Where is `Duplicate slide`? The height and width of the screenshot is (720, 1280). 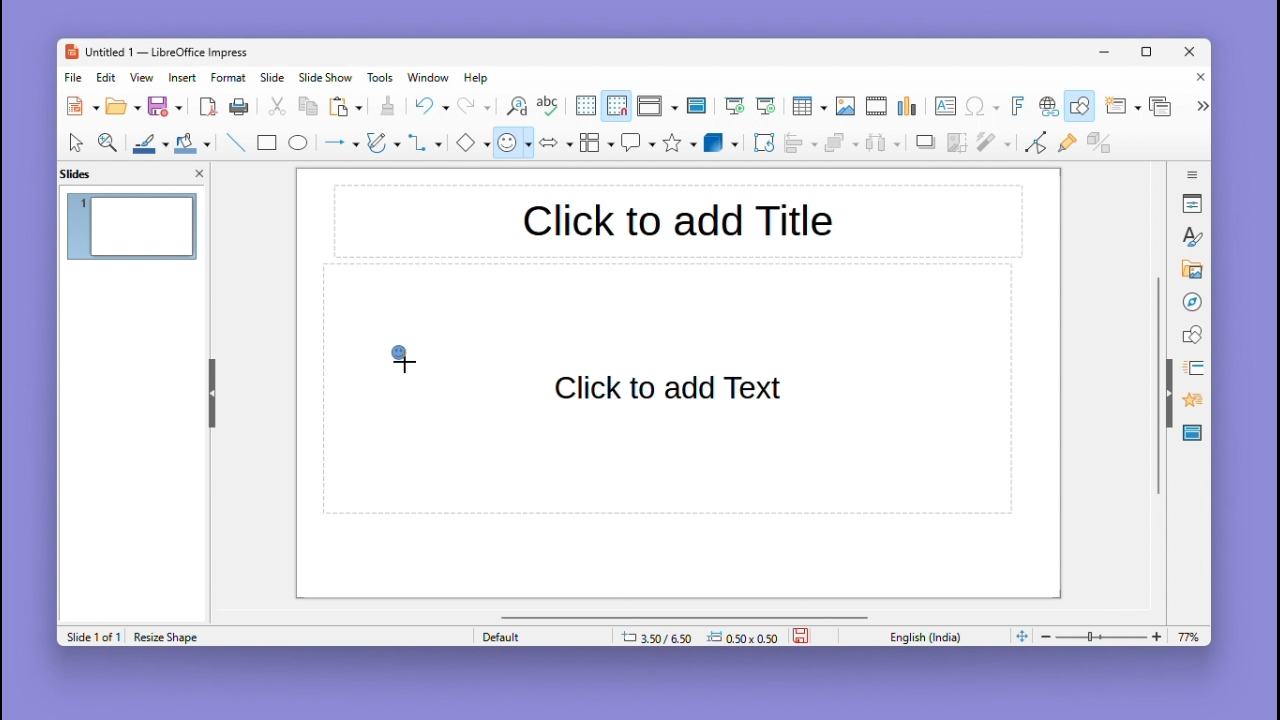
Duplicate slide is located at coordinates (1163, 106).